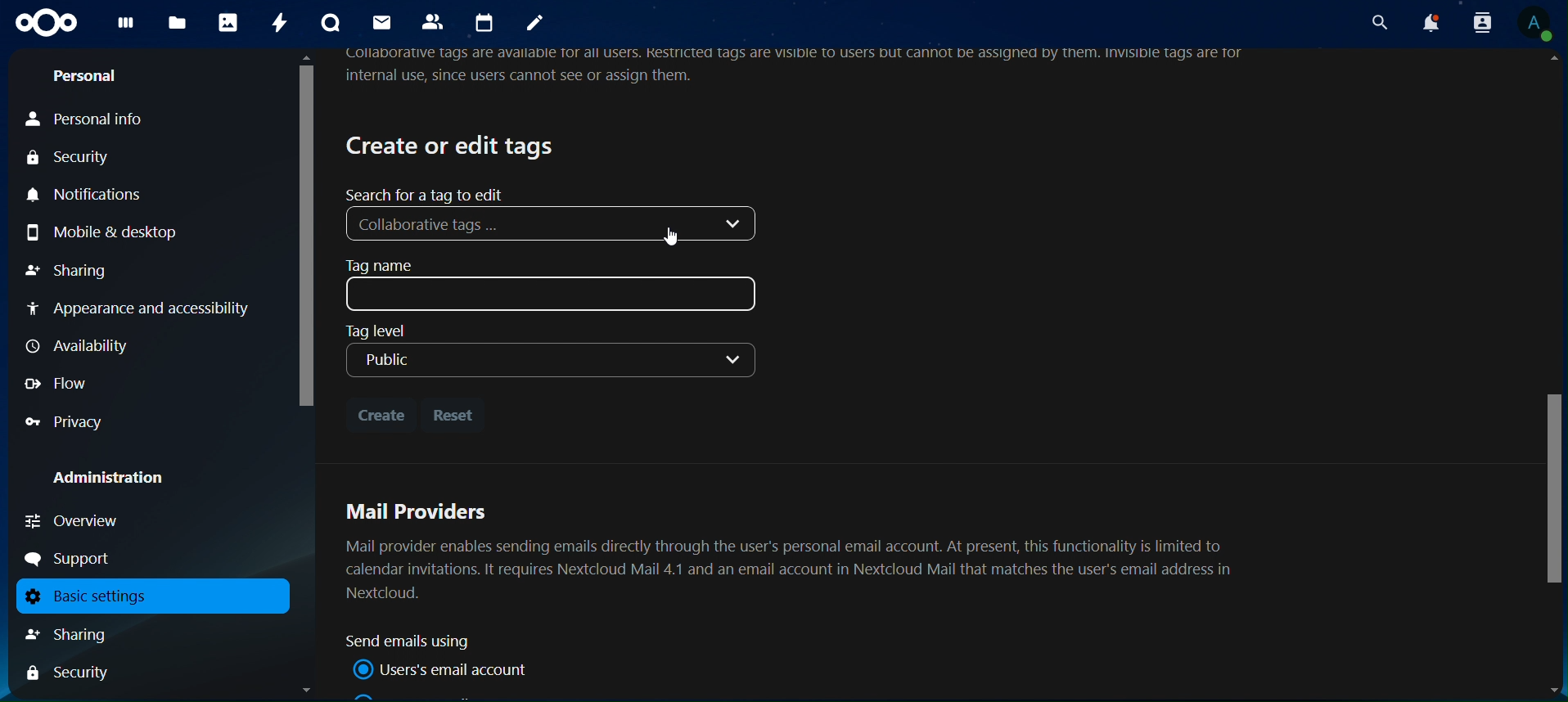  Describe the element at coordinates (177, 24) in the screenshot. I see `files` at that location.